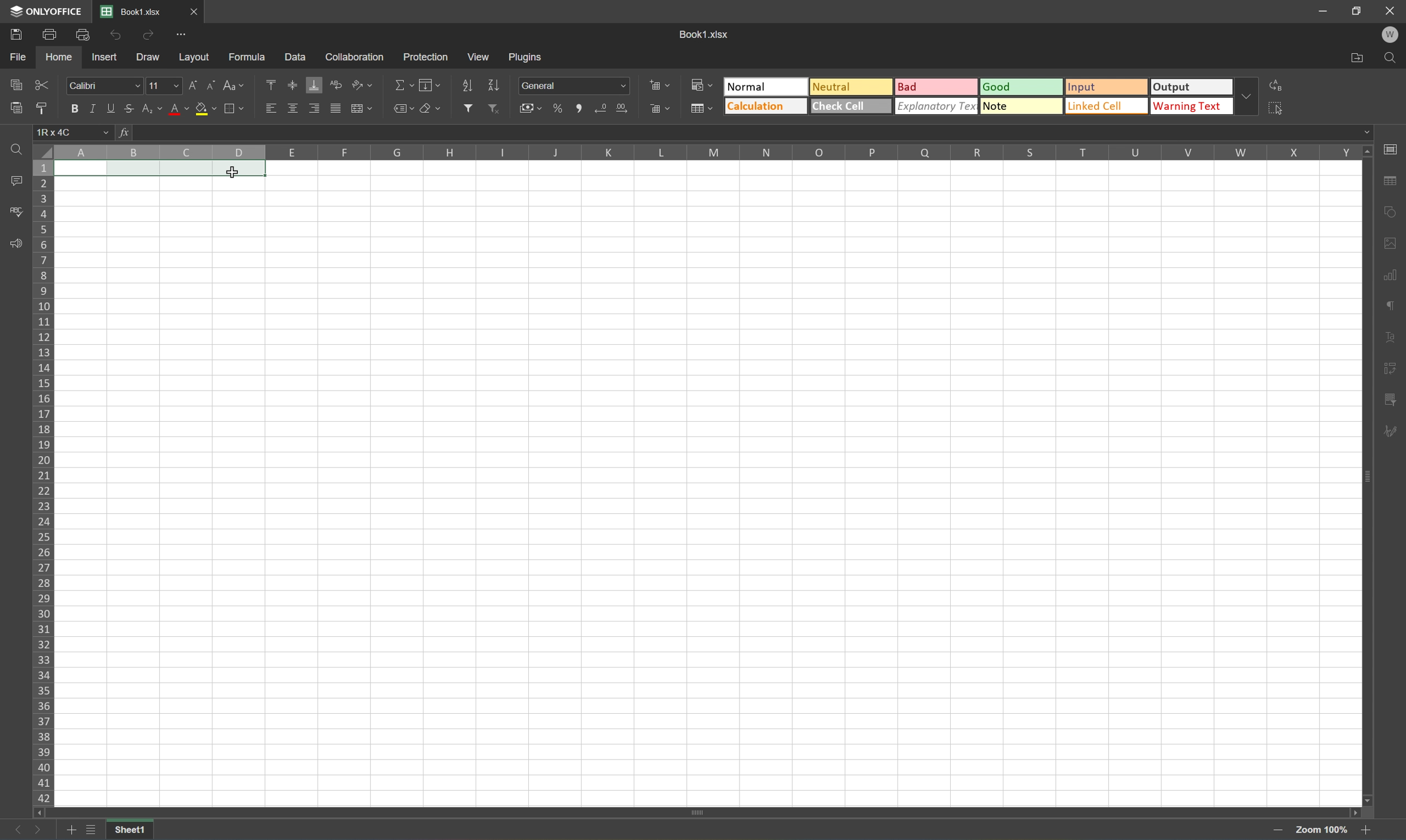  What do you see at coordinates (251, 56) in the screenshot?
I see `Formula` at bounding box center [251, 56].